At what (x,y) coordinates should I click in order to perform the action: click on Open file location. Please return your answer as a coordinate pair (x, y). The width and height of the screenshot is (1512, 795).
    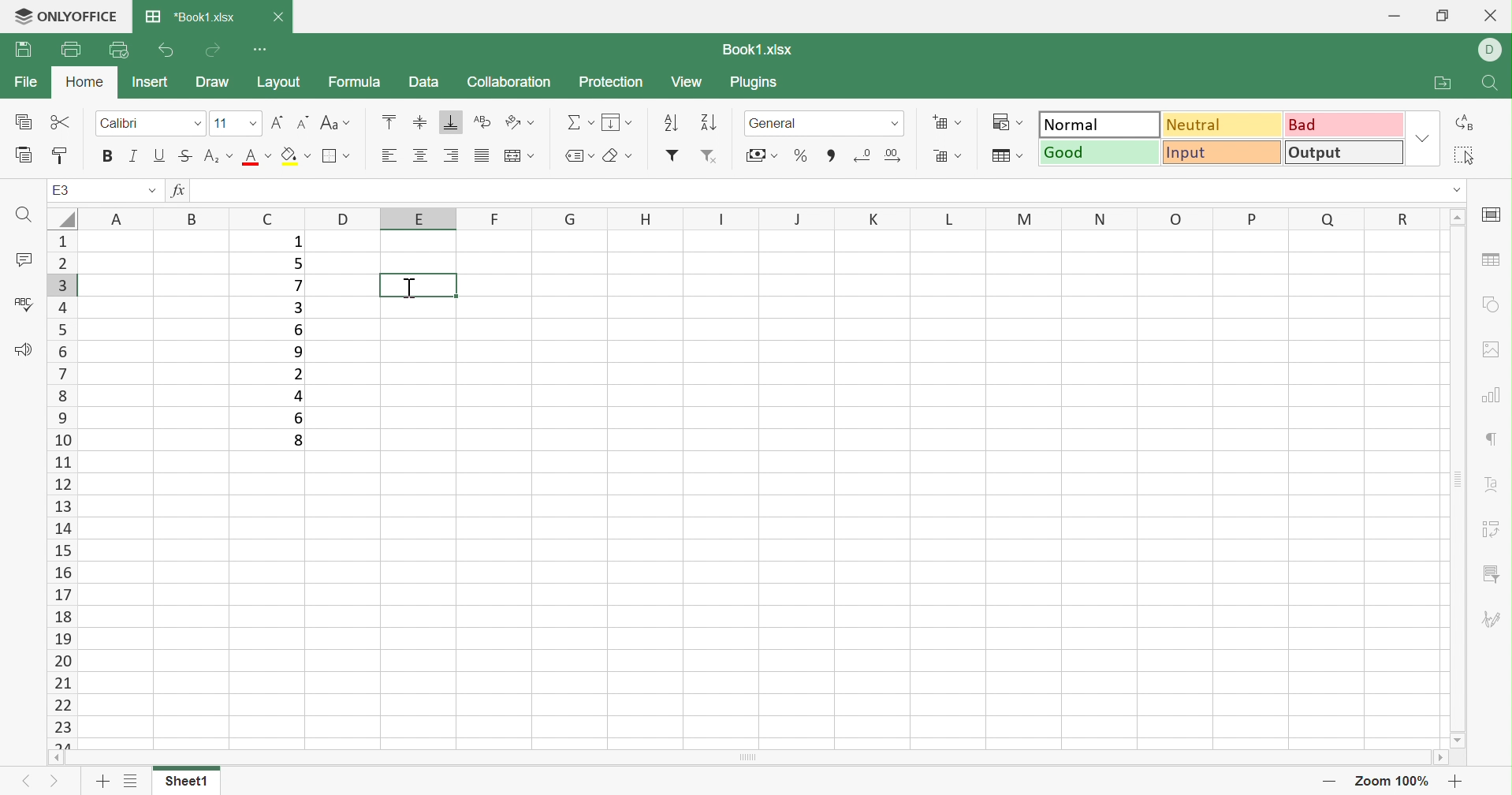
    Looking at the image, I should click on (1447, 84).